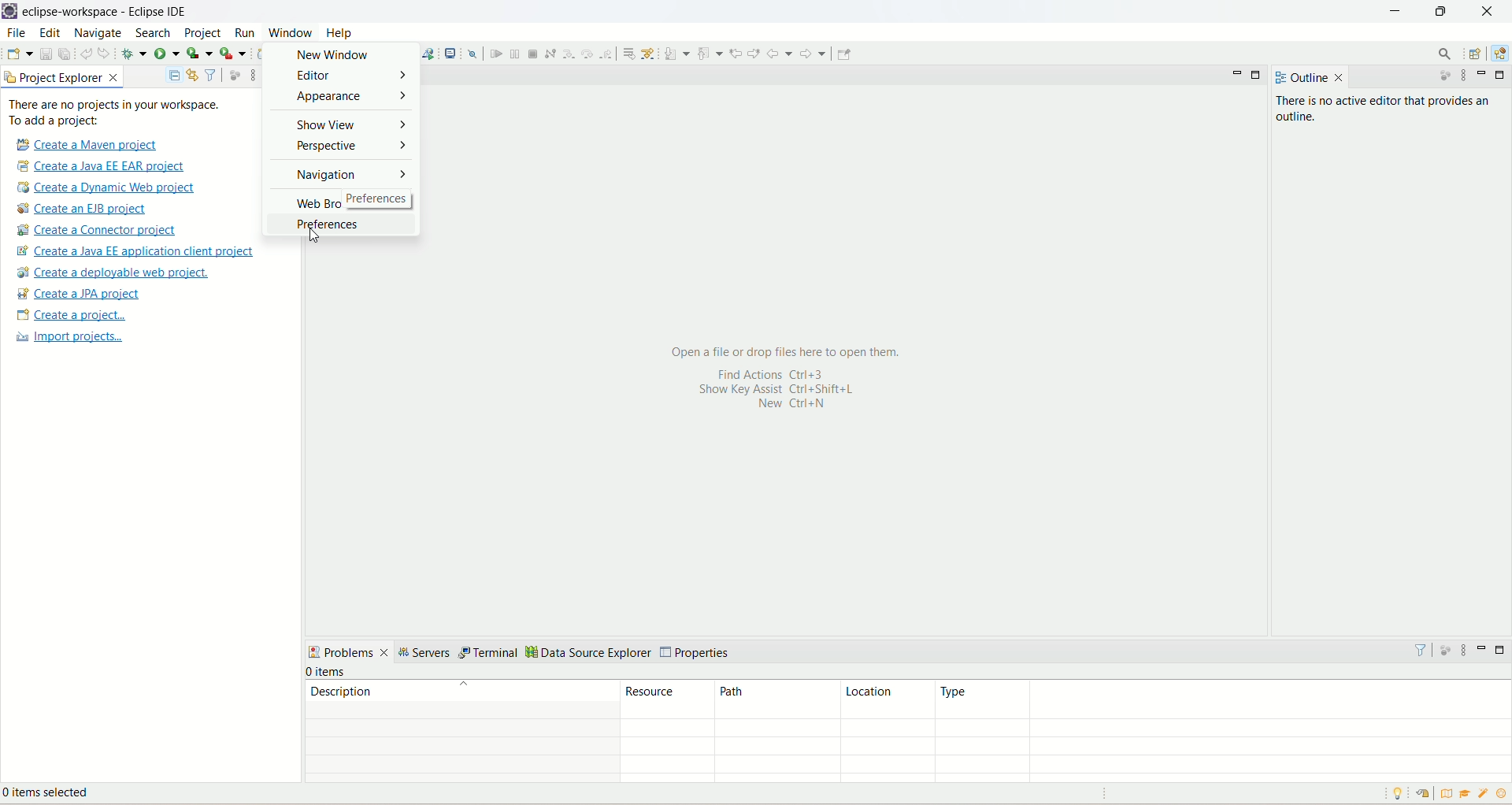 Image resolution: width=1512 pixels, height=805 pixels. Describe the element at coordinates (1237, 77) in the screenshot. I see `minimize` at that location.